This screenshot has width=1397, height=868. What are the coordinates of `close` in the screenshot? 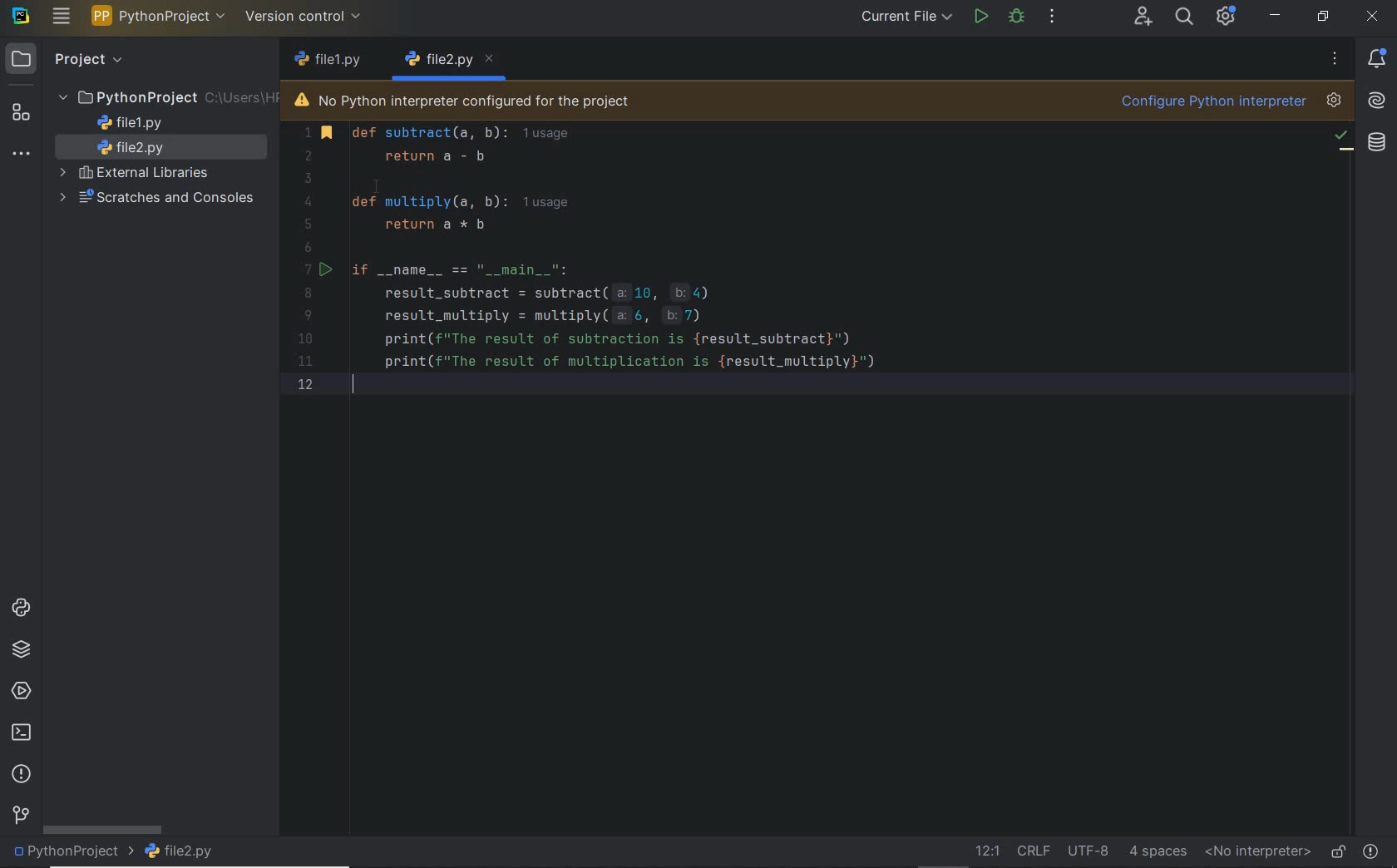 It's located at (1371, 16).